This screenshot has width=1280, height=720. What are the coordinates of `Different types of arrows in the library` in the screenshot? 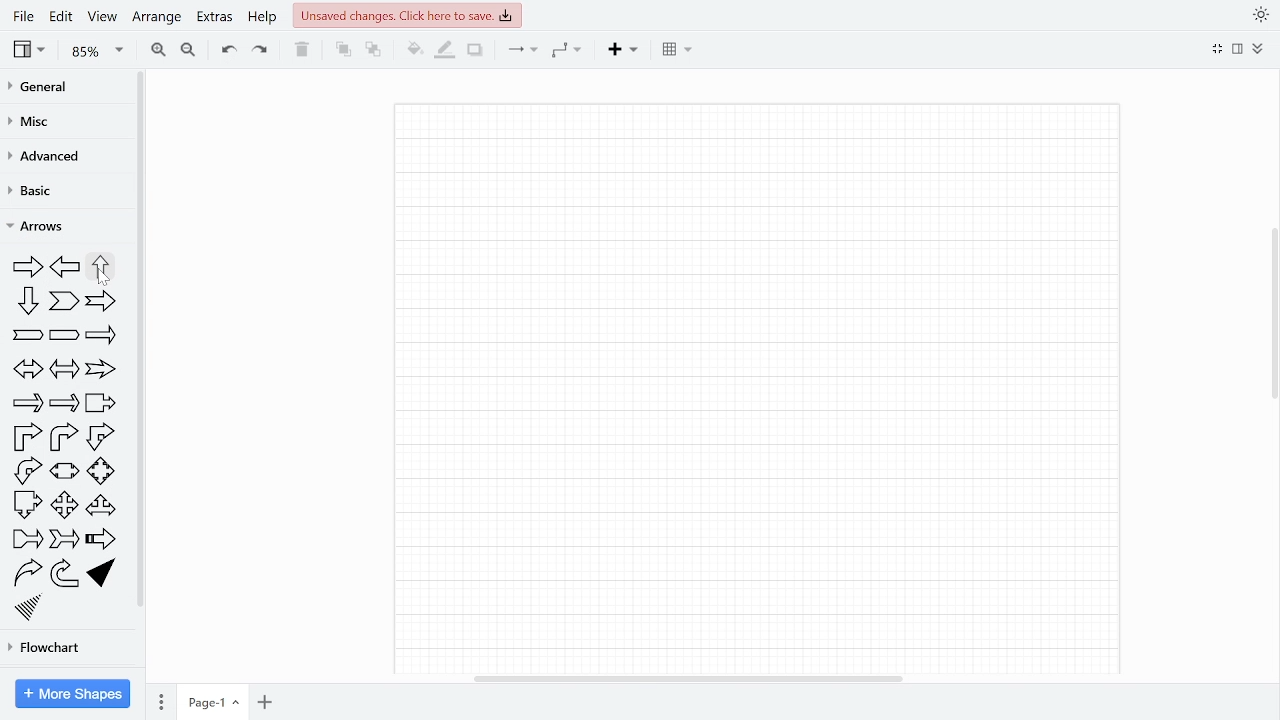 It's located at (69, 436).